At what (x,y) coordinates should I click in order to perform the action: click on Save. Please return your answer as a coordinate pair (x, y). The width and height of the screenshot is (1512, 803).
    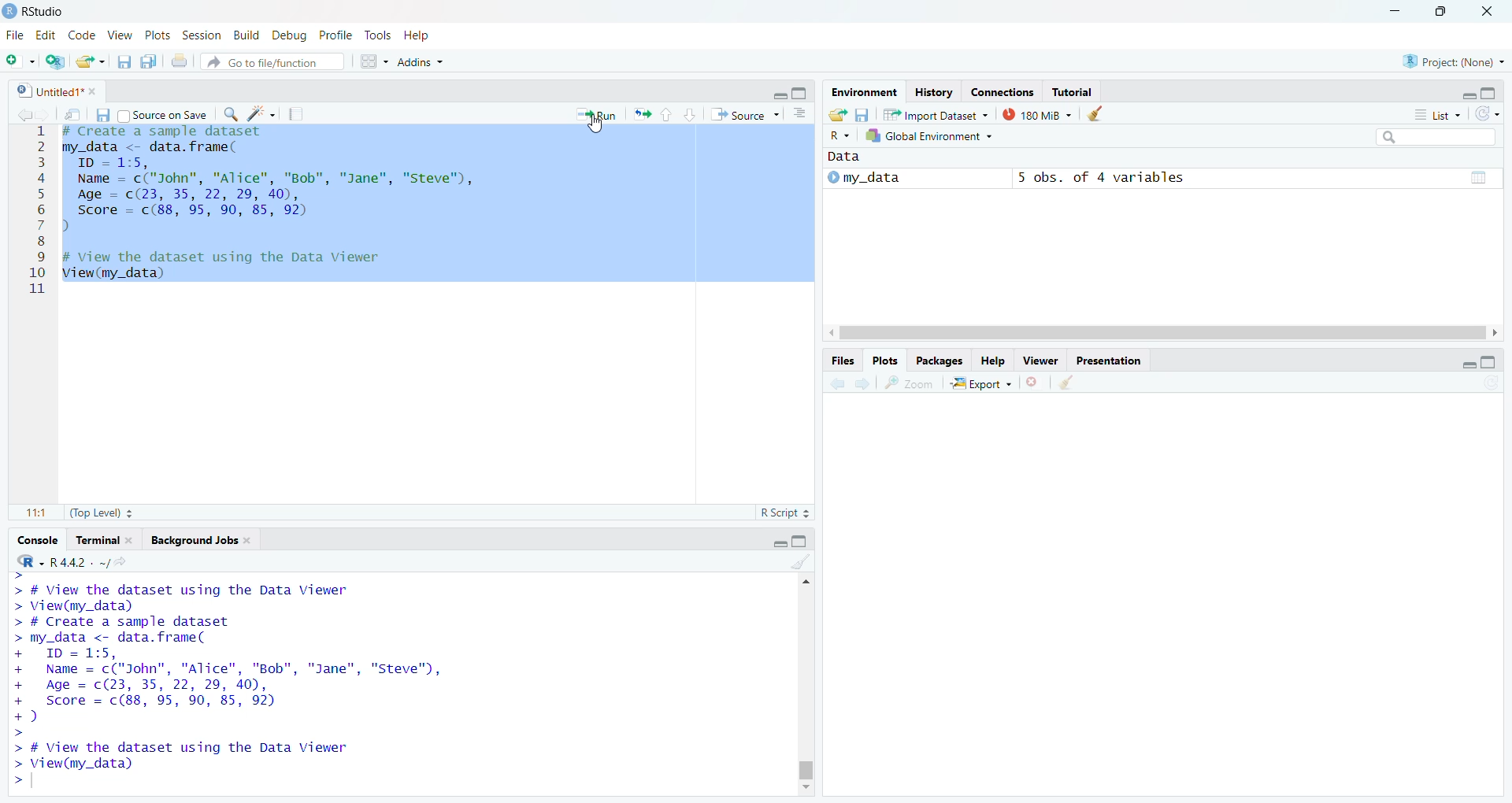
    Looking at the image, I should click on (104, 113).